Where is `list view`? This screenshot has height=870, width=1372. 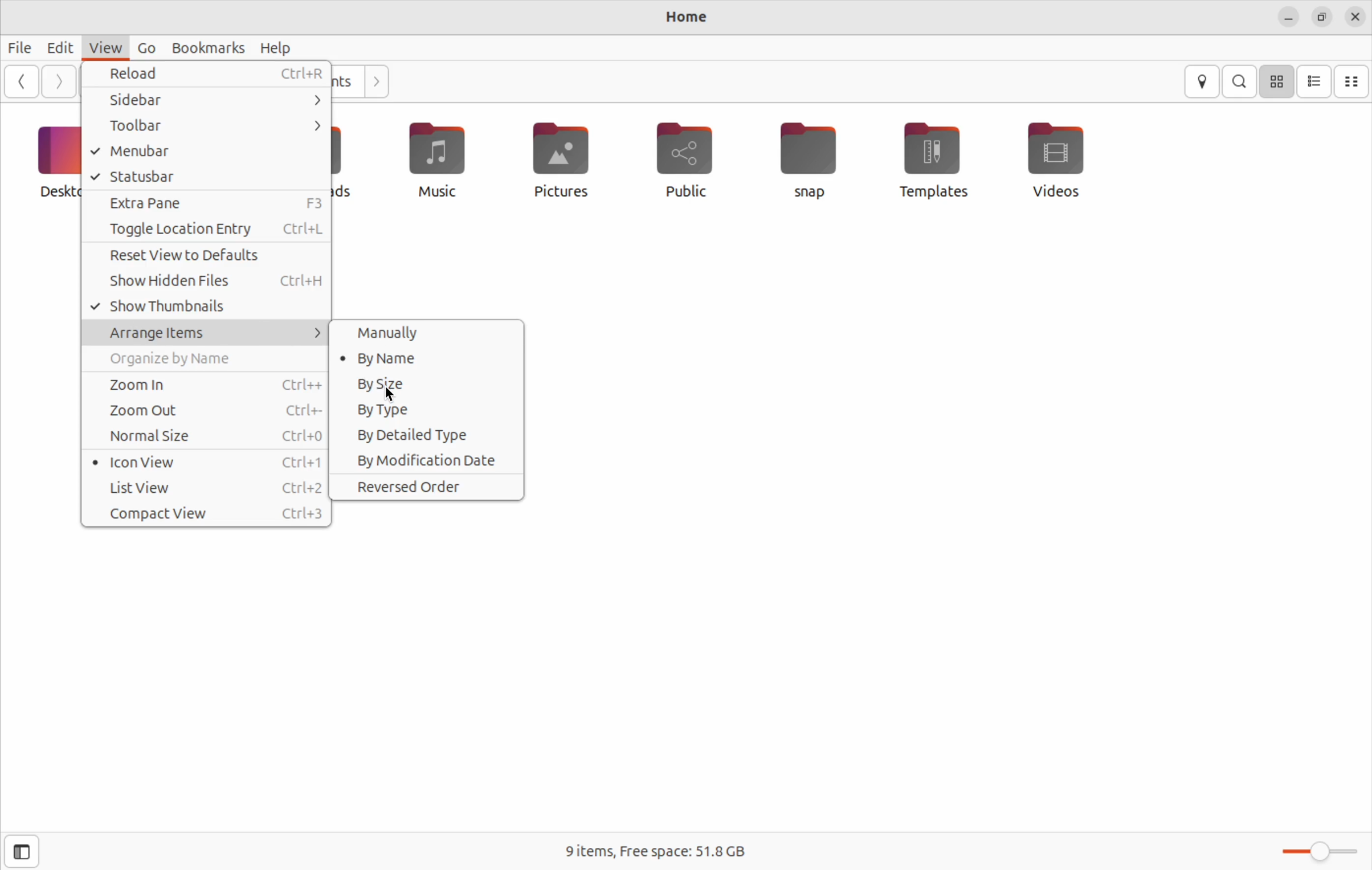 list view is located at coordinates (1313, 82).